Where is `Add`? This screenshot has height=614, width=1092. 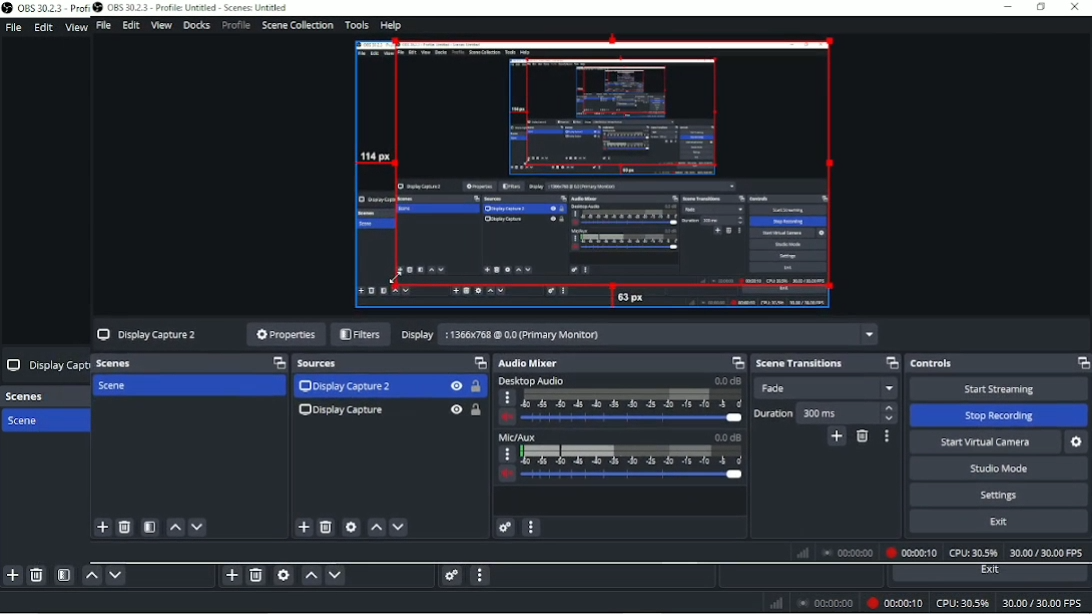 Add is located at coordinates (302, 528).